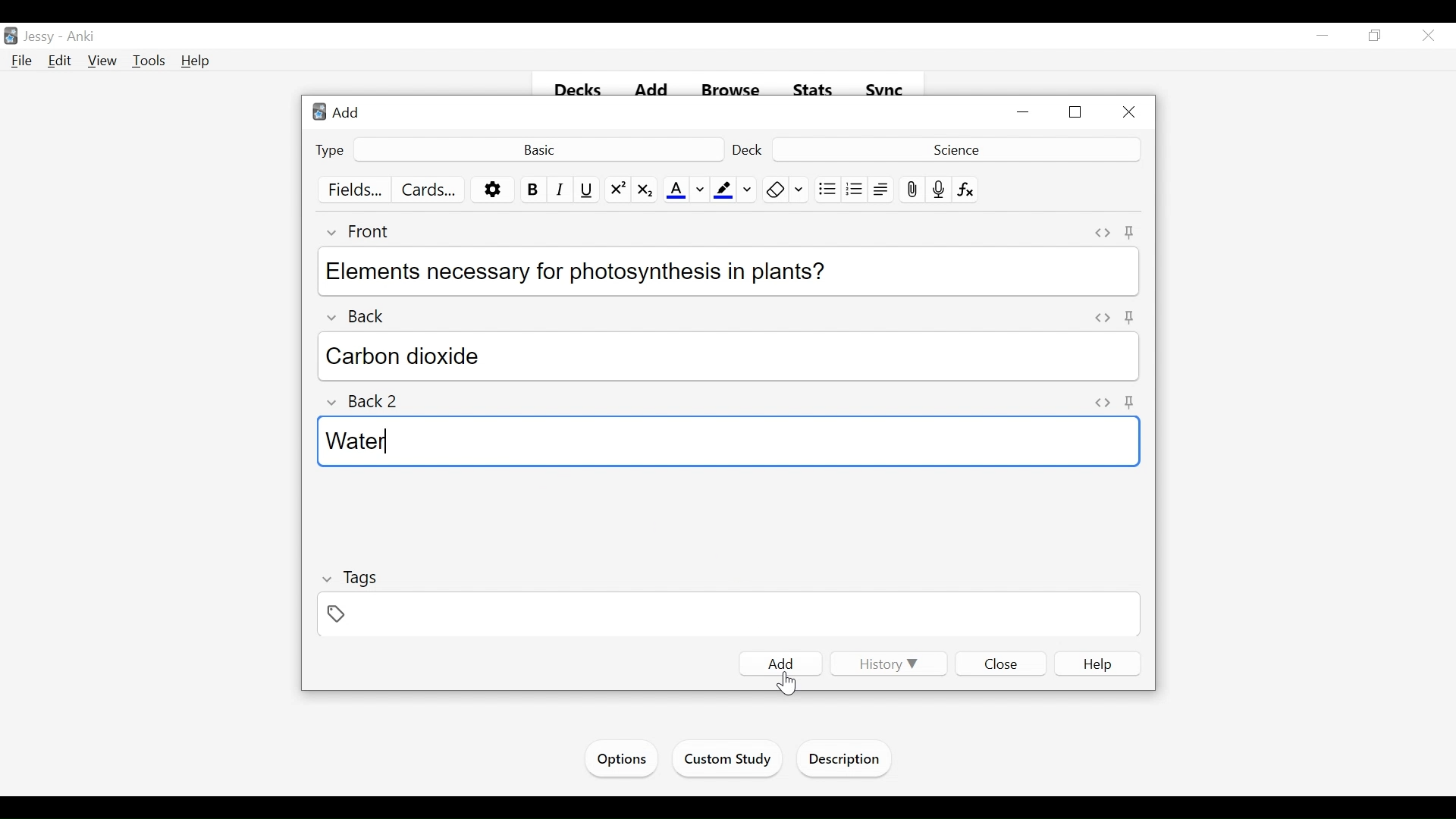 This screenshot has width=1456, height=819. What do you see at coordinates (618, 190) in the screenshot?
I see `Superscript` at bounding box center [618, 190].